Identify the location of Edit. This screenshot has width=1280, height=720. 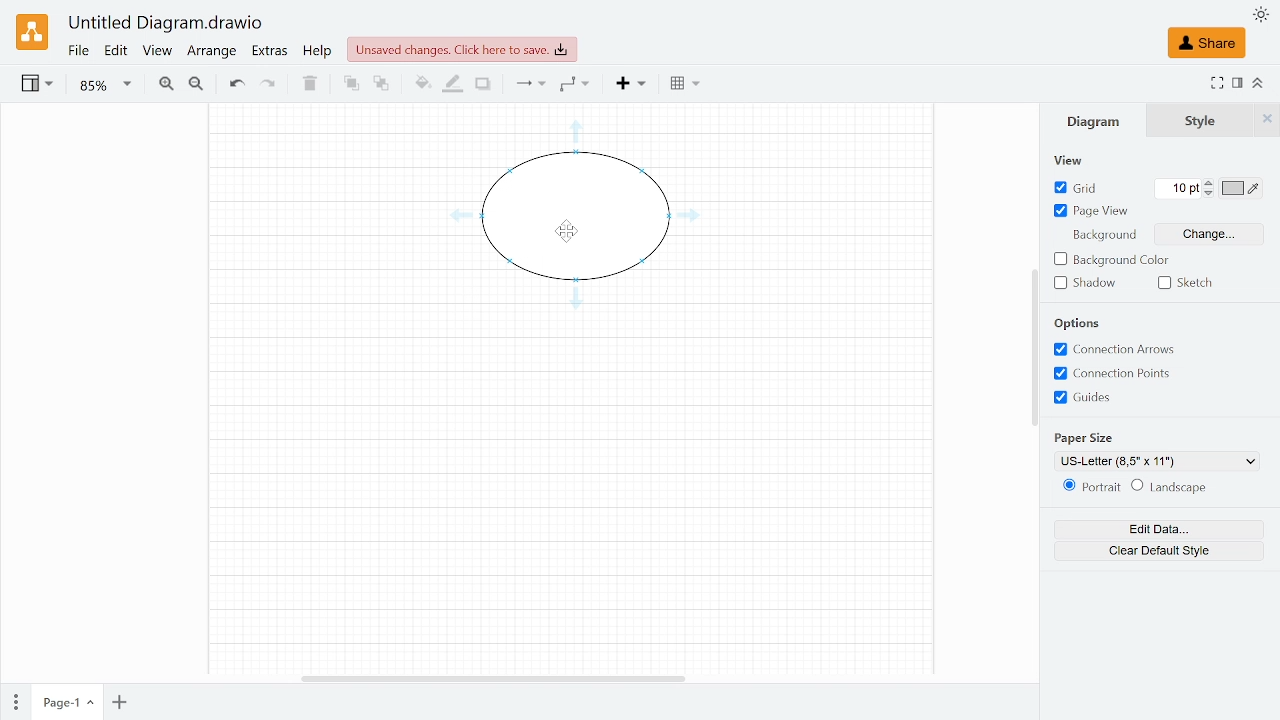
(115, 51).